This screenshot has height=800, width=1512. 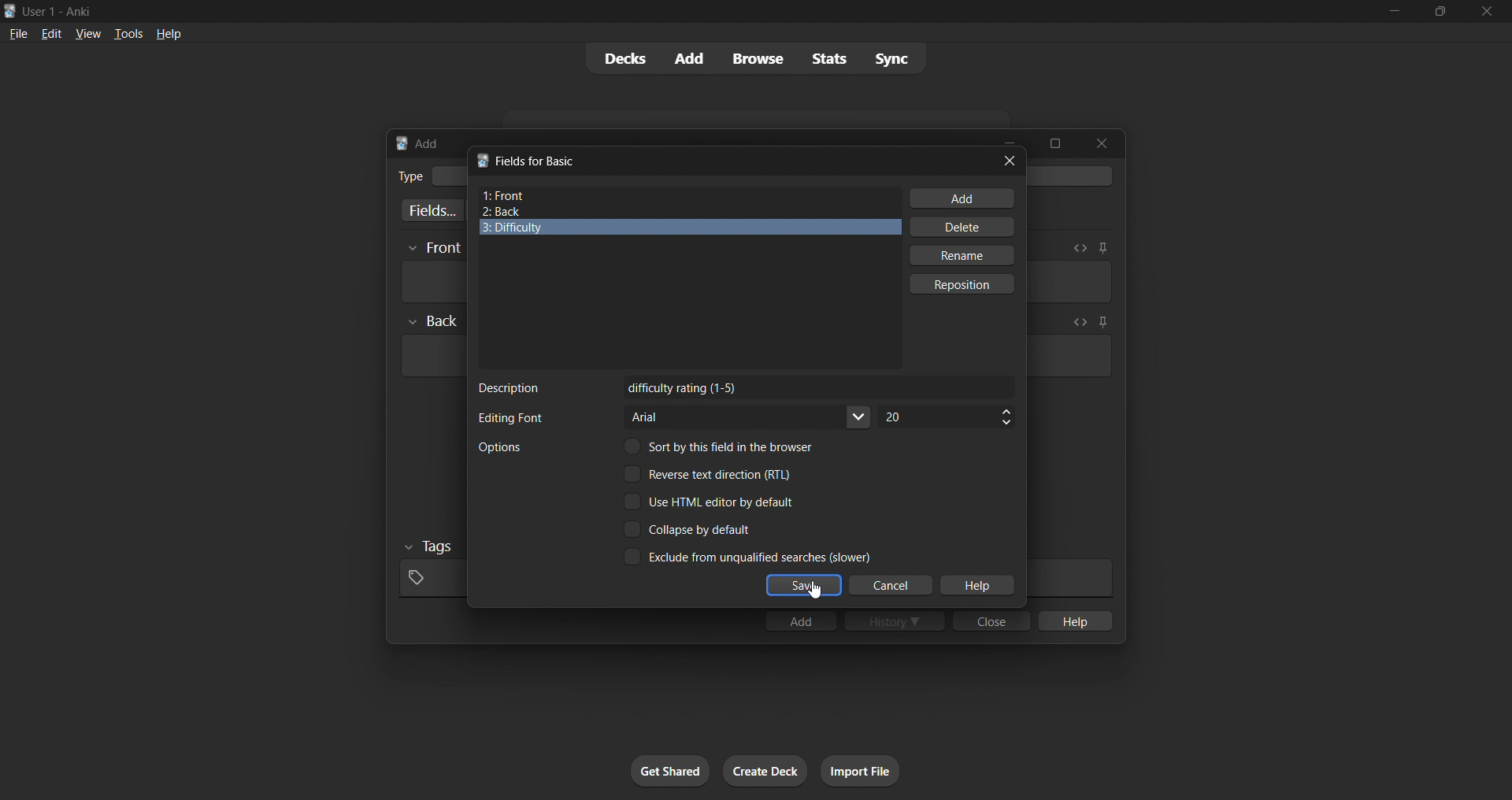 What do you see at coordinates (895, 620) in the screenshot?
I see `history` at bounding box center [895, 620].